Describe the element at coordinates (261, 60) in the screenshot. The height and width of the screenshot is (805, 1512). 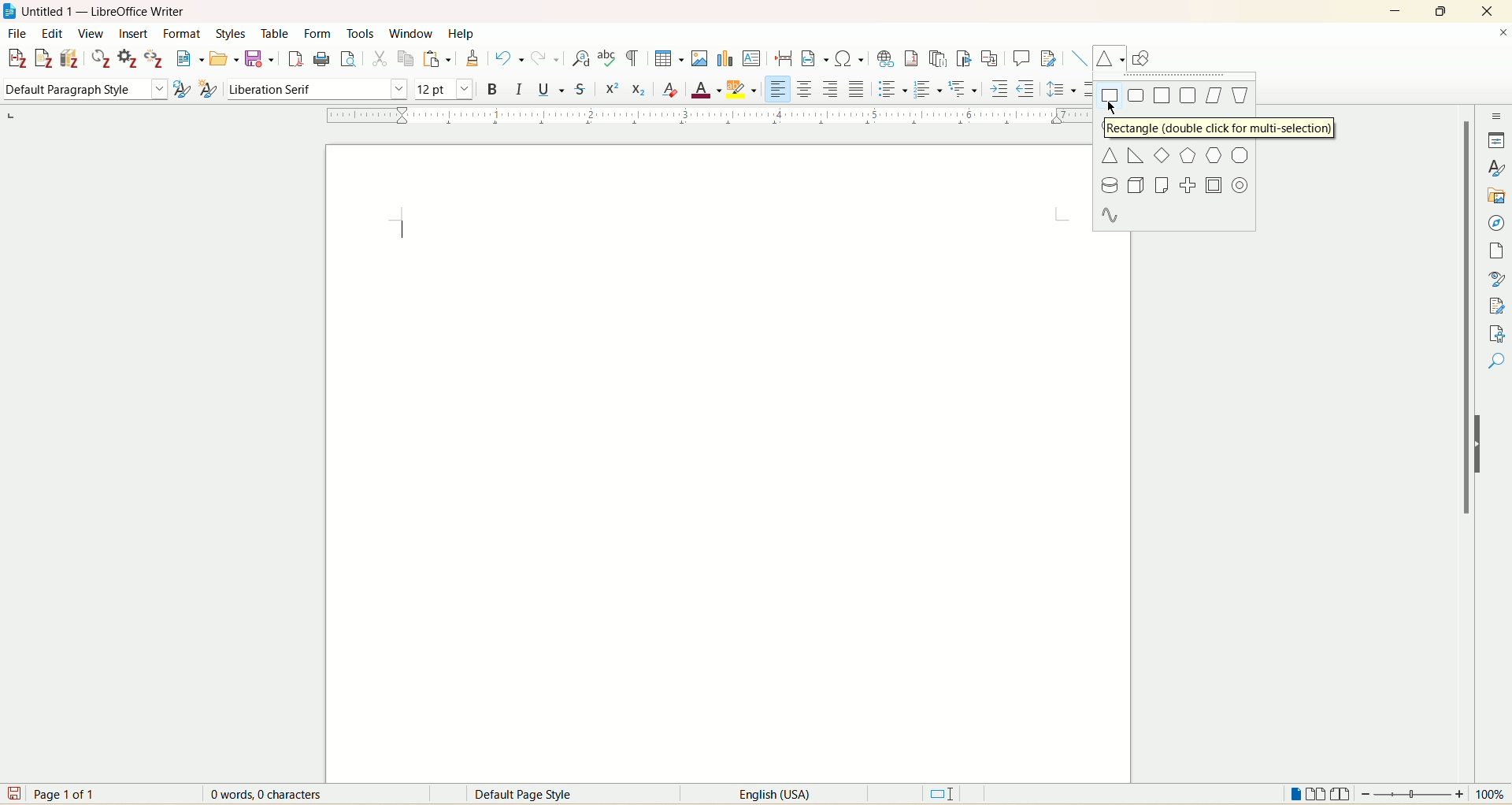
I see `save` at that location.